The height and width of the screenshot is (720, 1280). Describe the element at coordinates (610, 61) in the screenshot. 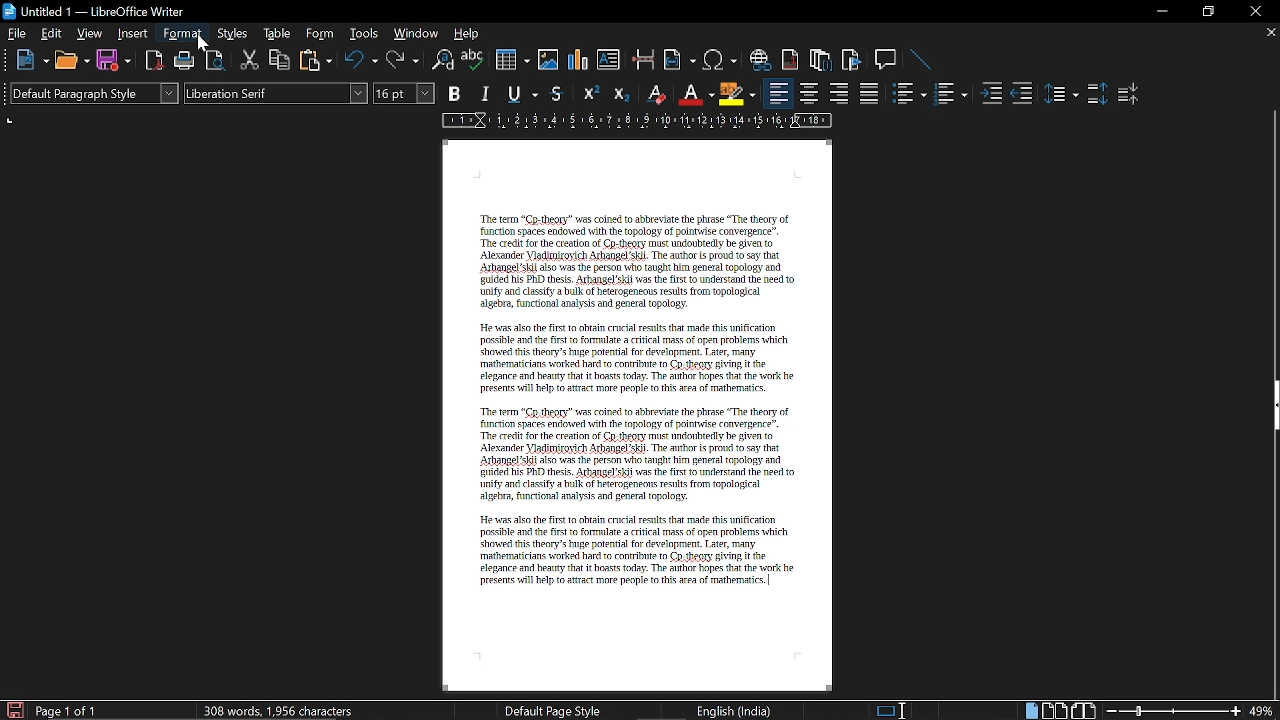

I see `Insert text` at that location.